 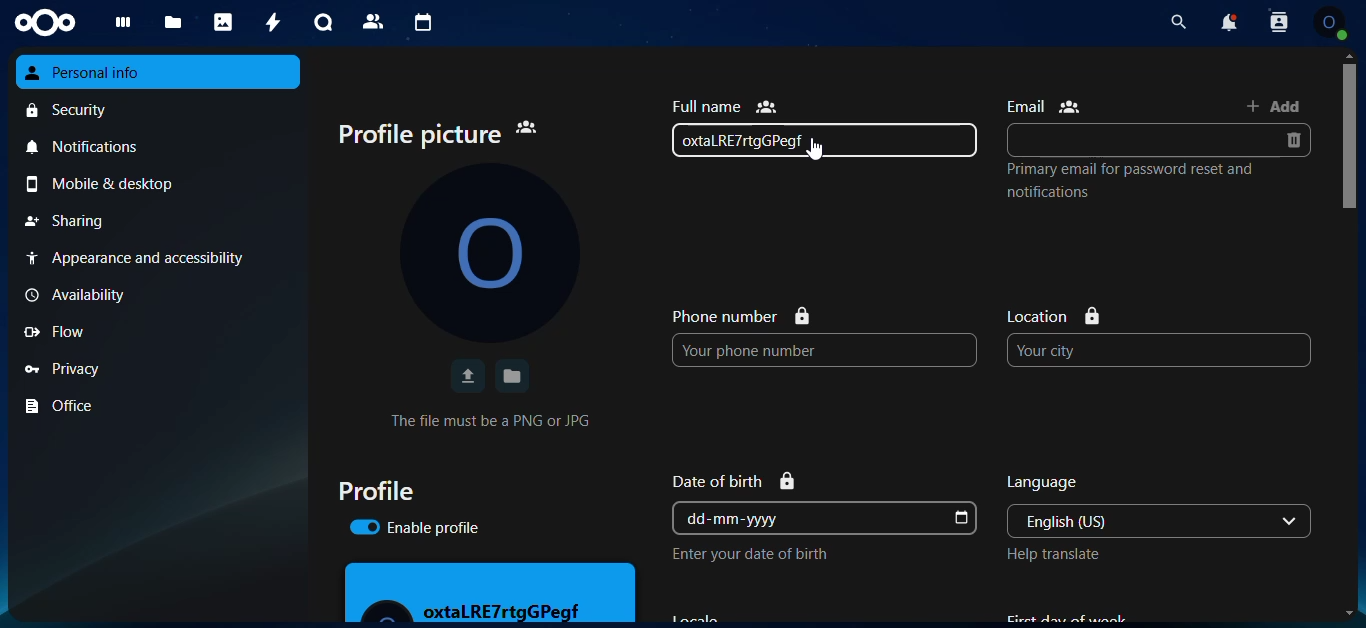 I want to click on talk, so click(x=320, y=23).